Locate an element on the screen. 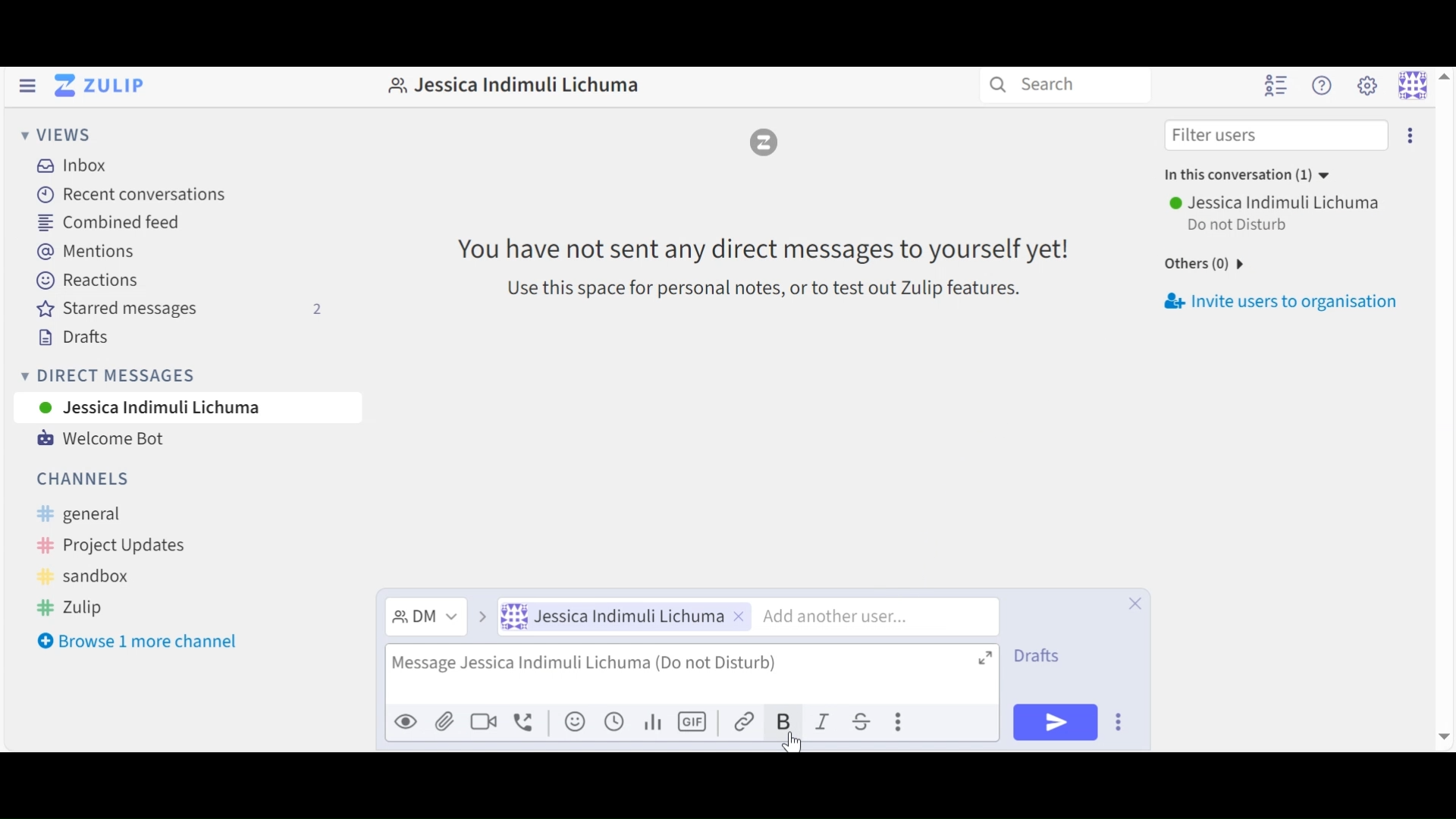 The height and width of the screenshot is (819, 1456). Invite users to organisation is located at coordinates (1288, 305).